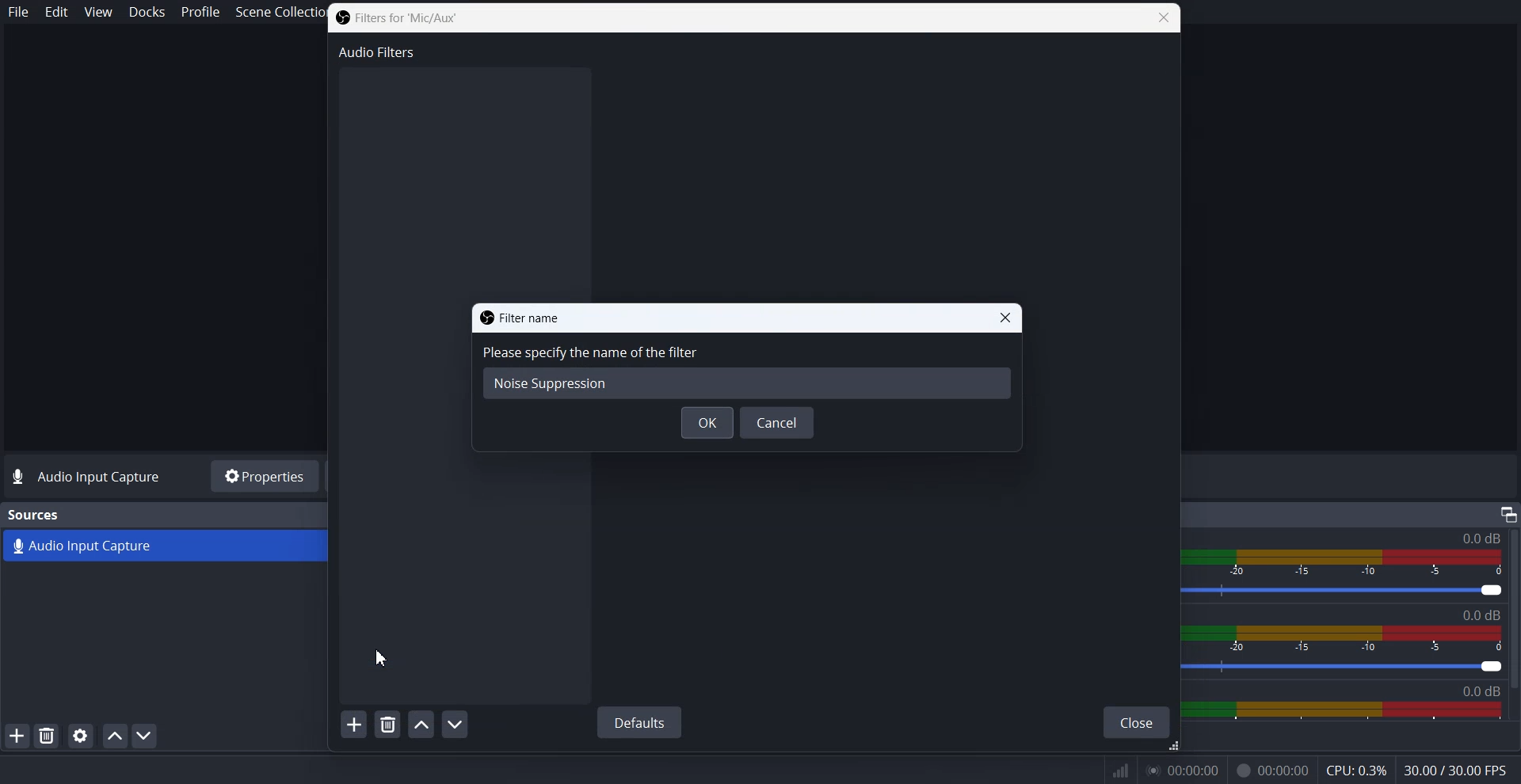  What do you see at coordinates (395, 18) in the screenshot?
I see `Text` at bounding box center [395, 18].